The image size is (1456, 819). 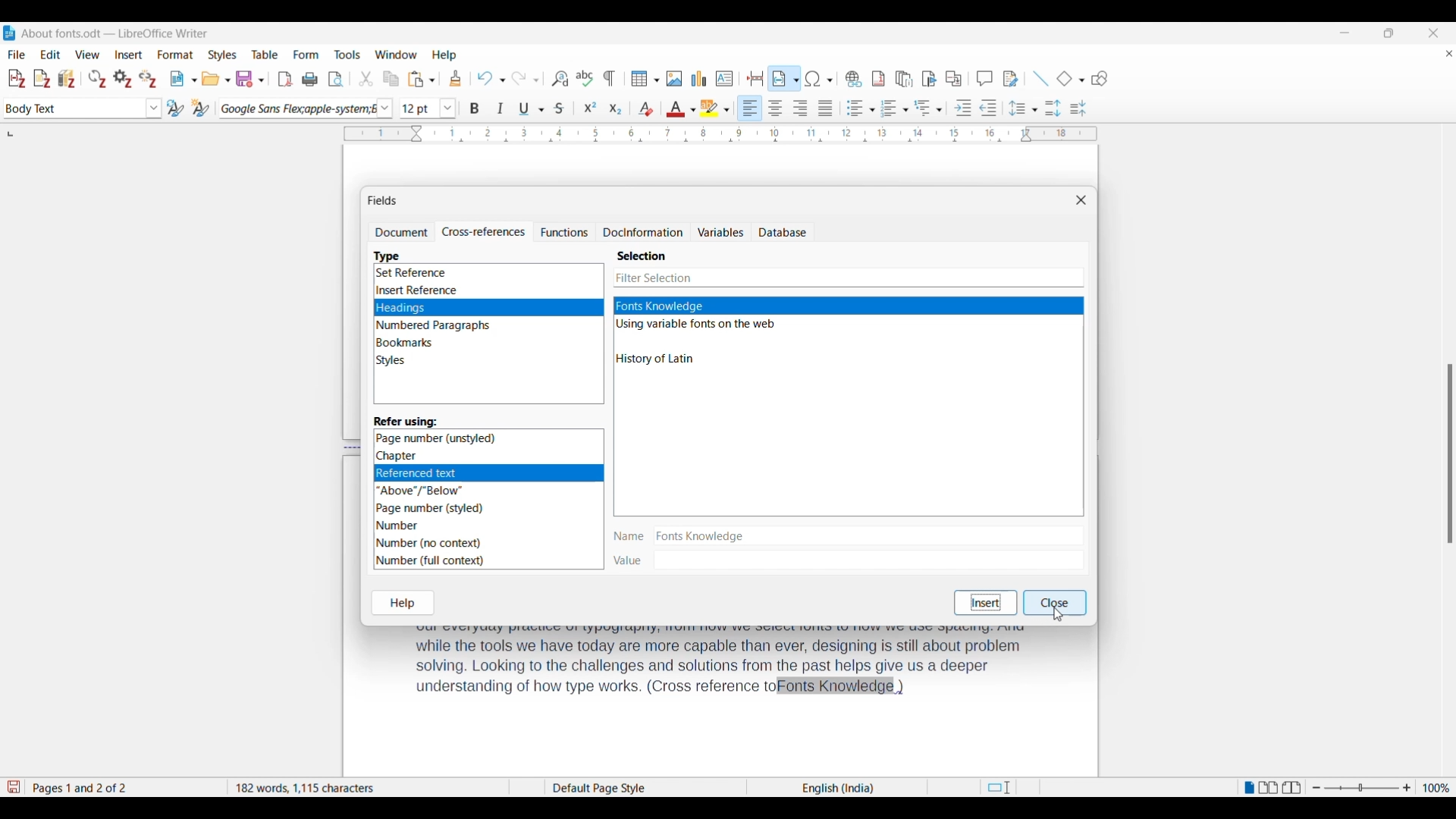 What do you see at coordinates (1407, 789) in the screenshot?
I see `Zoom in` at bounding box center [1407, 789].